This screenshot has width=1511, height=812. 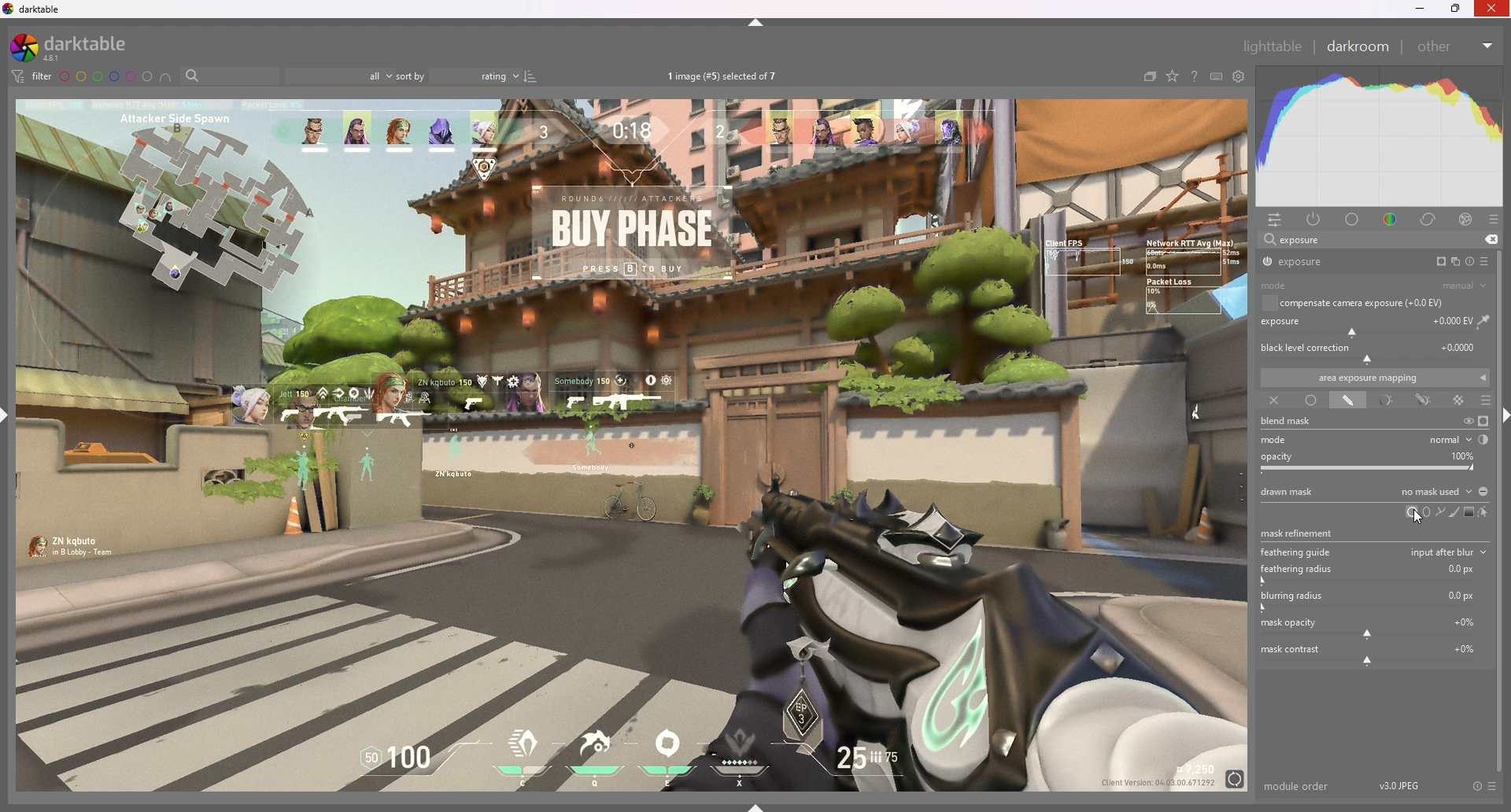 I want to click on effect, so click(x=1466, y=220).